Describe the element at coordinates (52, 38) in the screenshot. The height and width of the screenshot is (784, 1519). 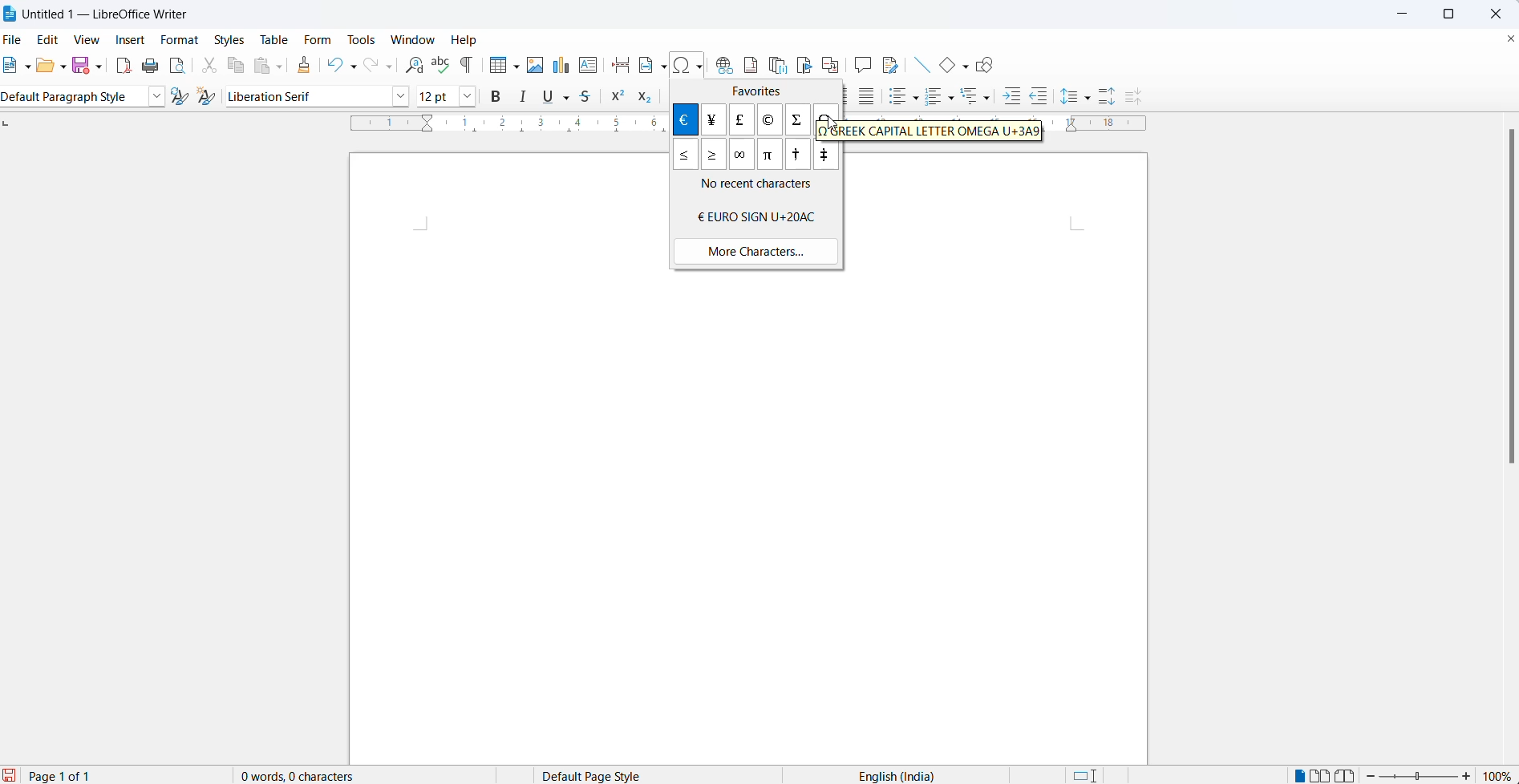
I see `edit` at that location.